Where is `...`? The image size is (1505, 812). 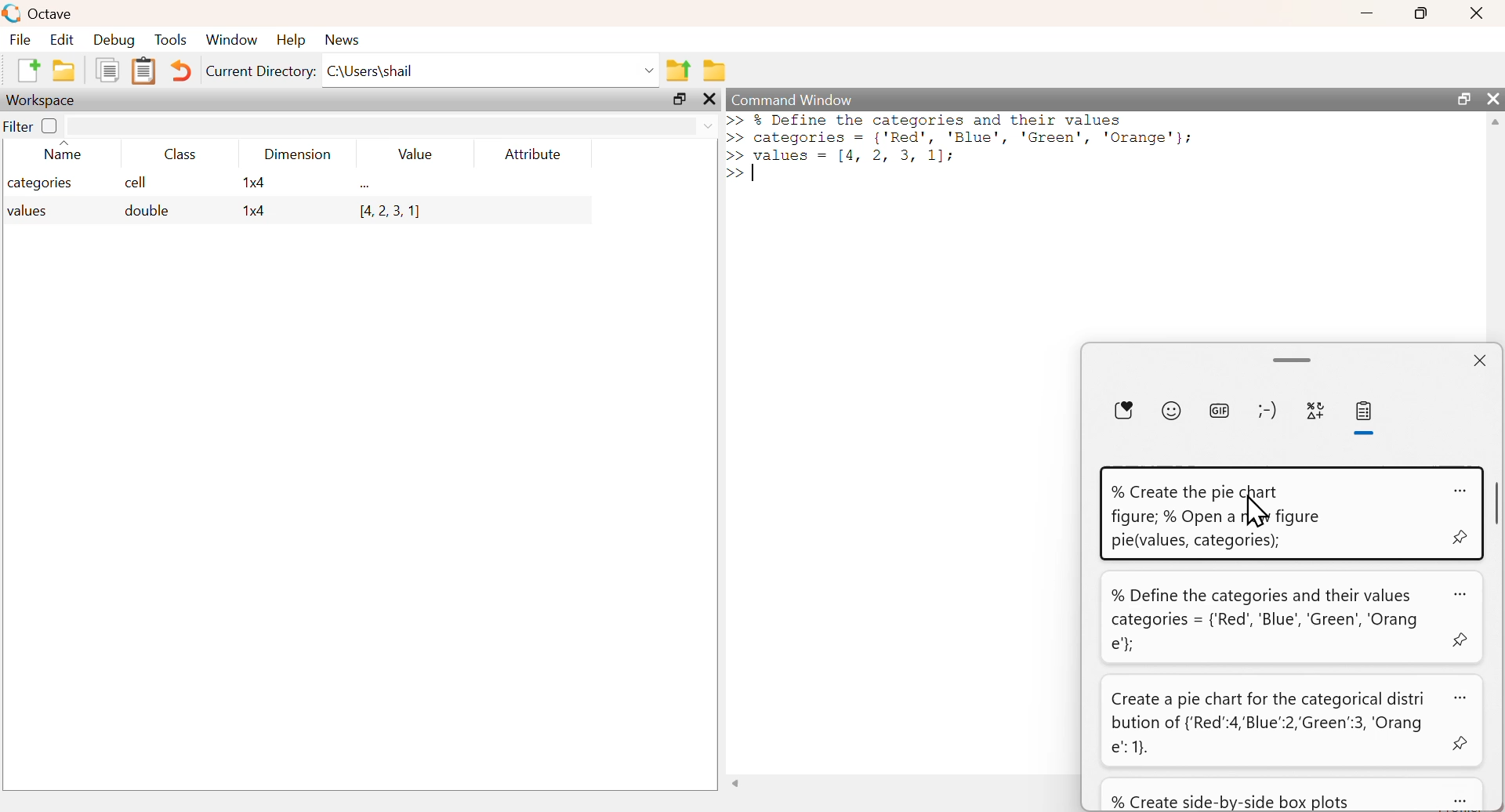
... is located at coordinates (366, 186).